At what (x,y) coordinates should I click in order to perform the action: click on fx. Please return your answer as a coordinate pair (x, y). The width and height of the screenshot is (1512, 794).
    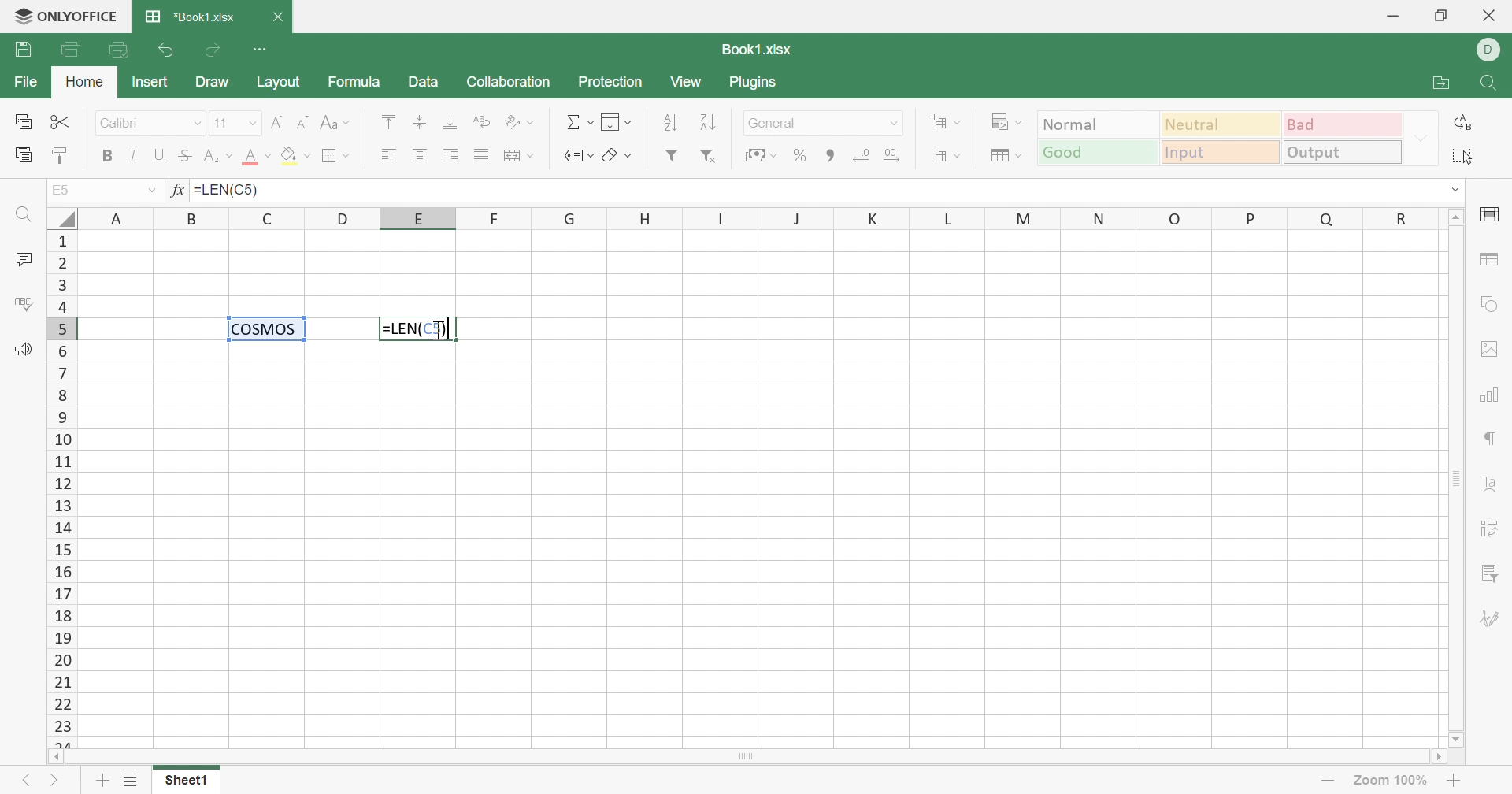
    Looking at the image, I should click on (179, 191).